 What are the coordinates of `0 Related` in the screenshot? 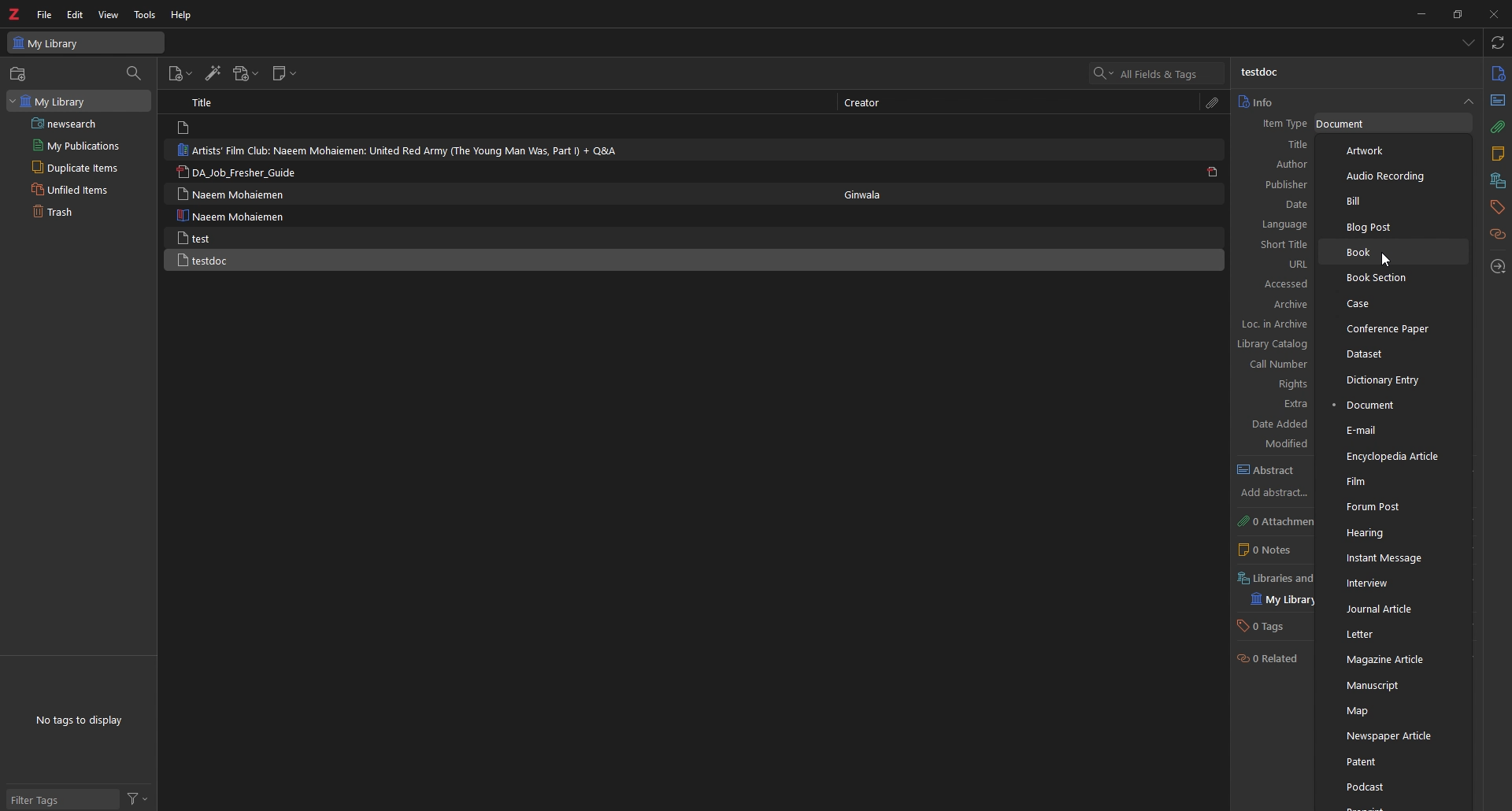 It's located at (1268, 657).